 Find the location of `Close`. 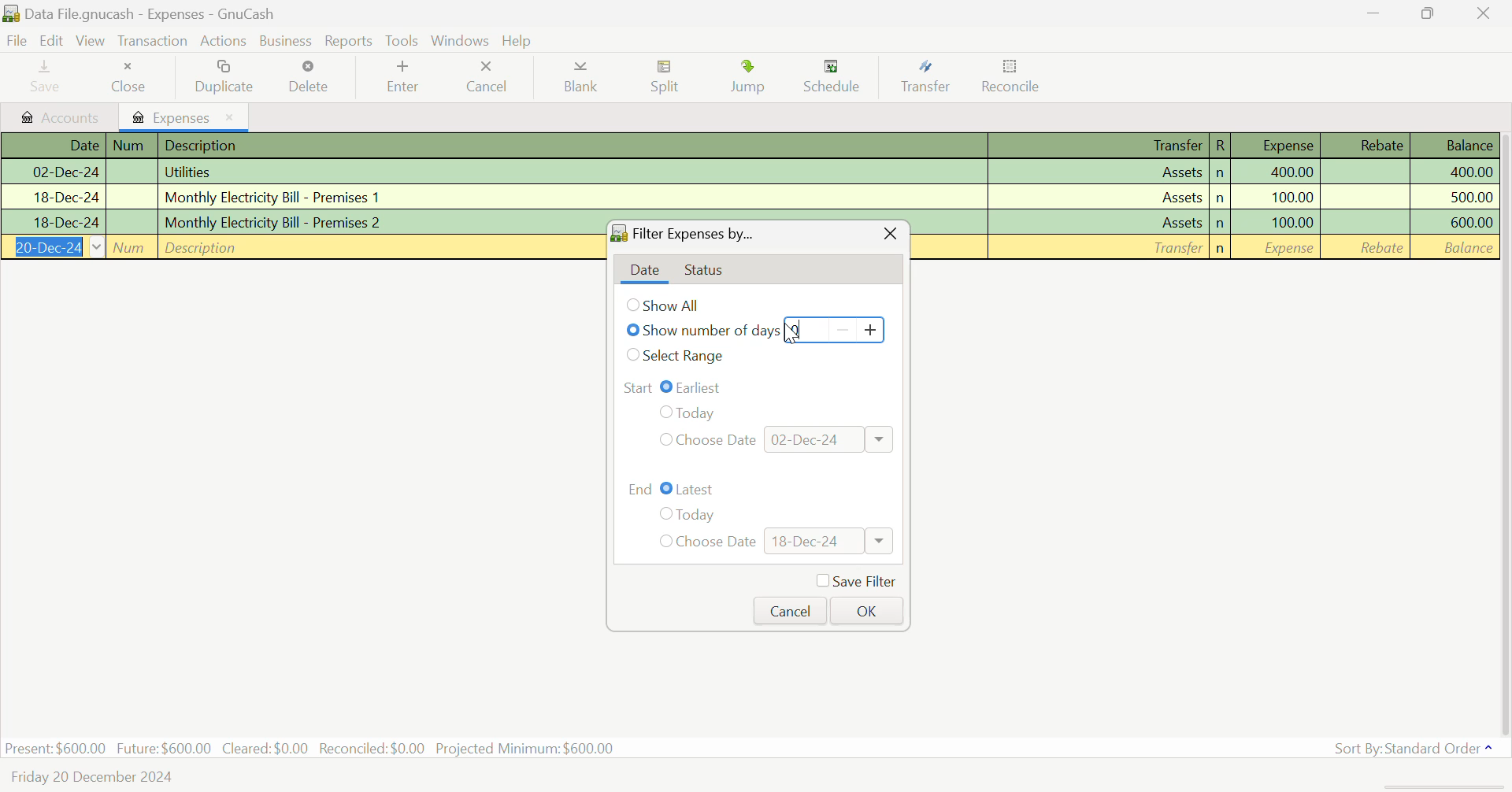

Close is located at coordinates (889, 235).